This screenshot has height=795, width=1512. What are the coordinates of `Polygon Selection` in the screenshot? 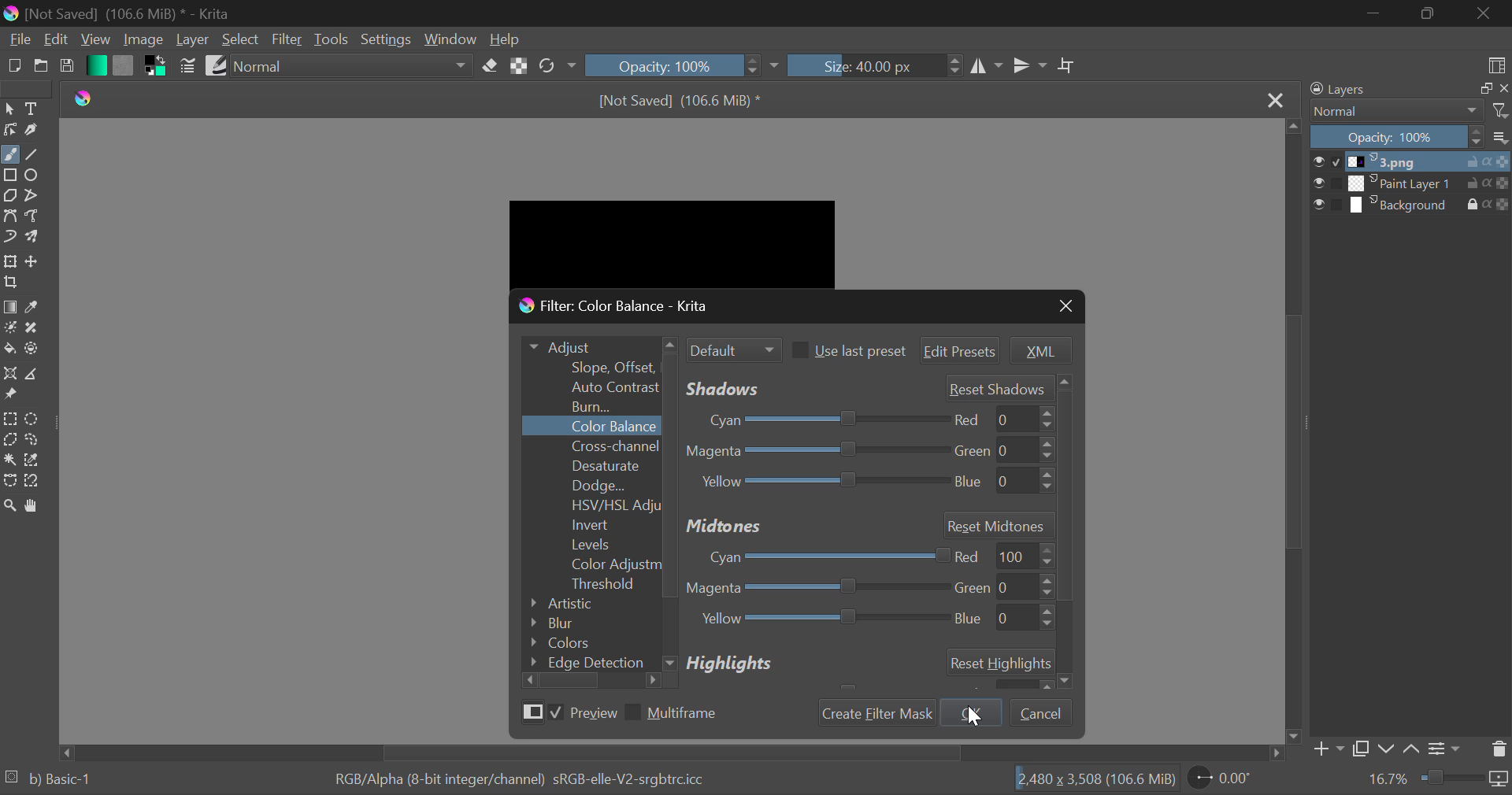 It's located at (10, 441).